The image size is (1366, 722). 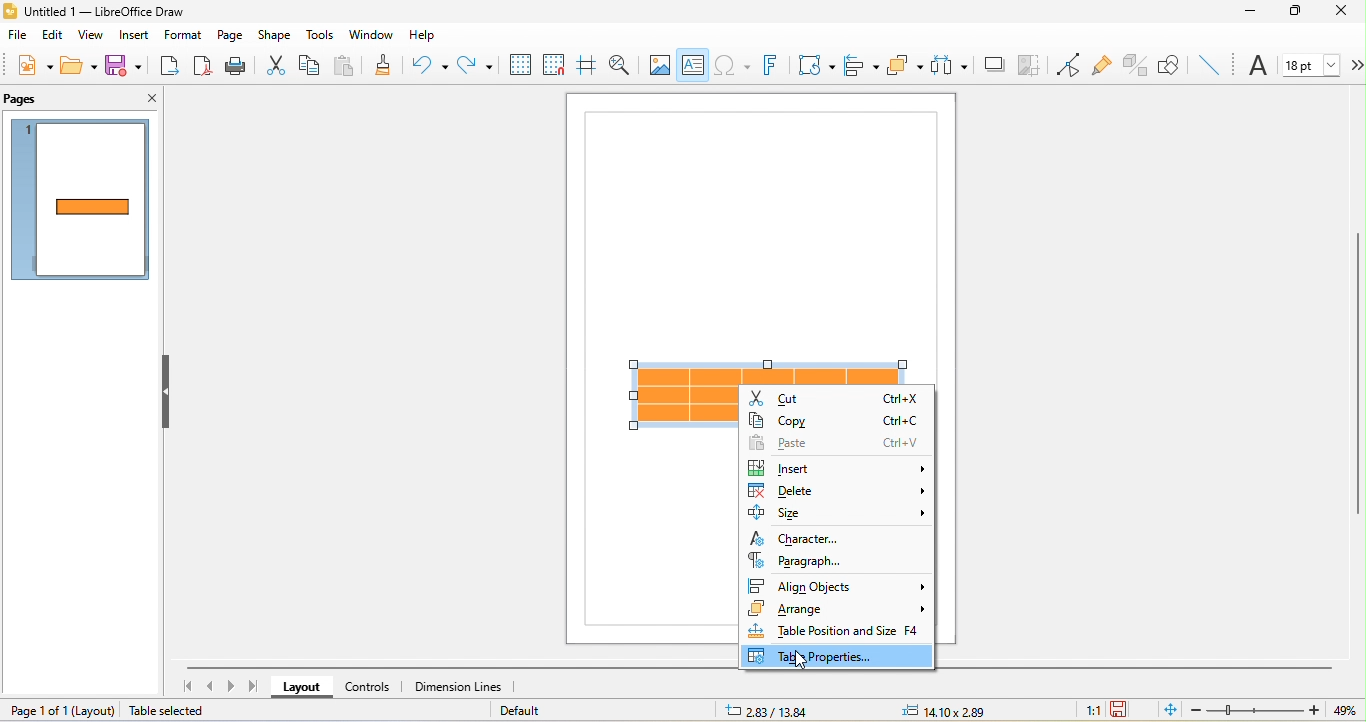 I want to click on vertical scroll bar, so click(x=1357, y=373).